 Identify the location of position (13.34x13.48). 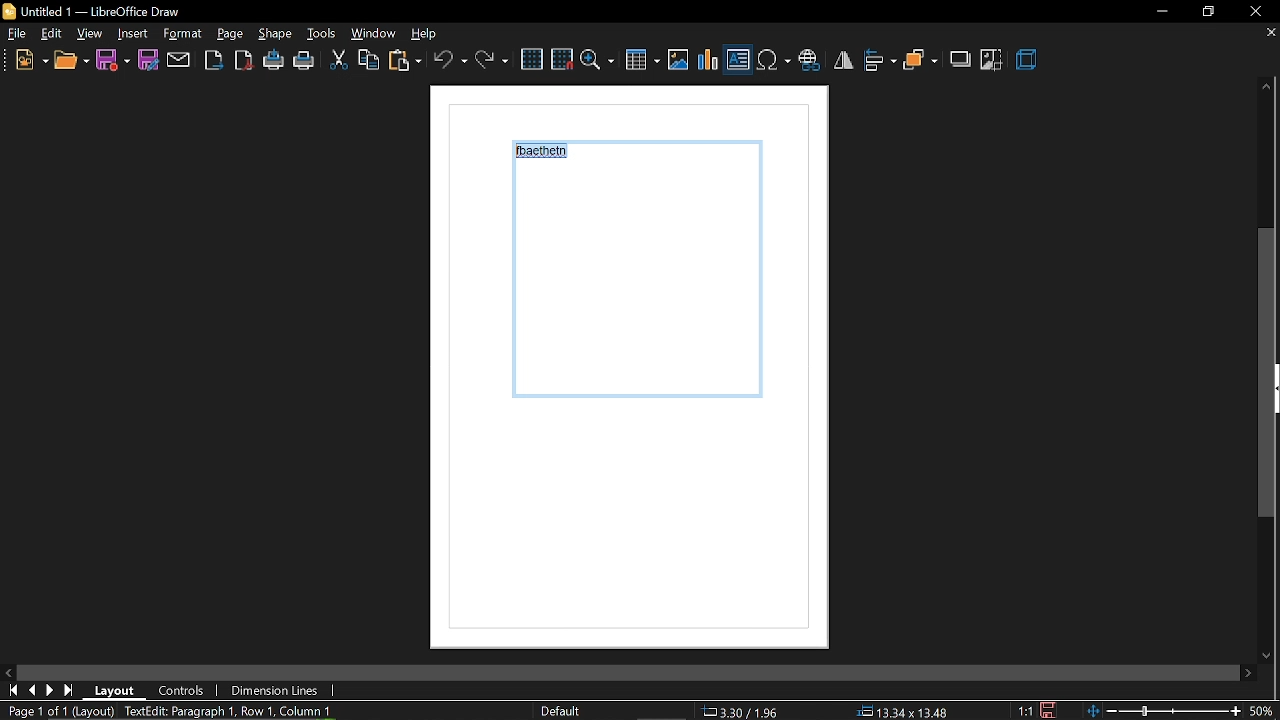
(901, 711).